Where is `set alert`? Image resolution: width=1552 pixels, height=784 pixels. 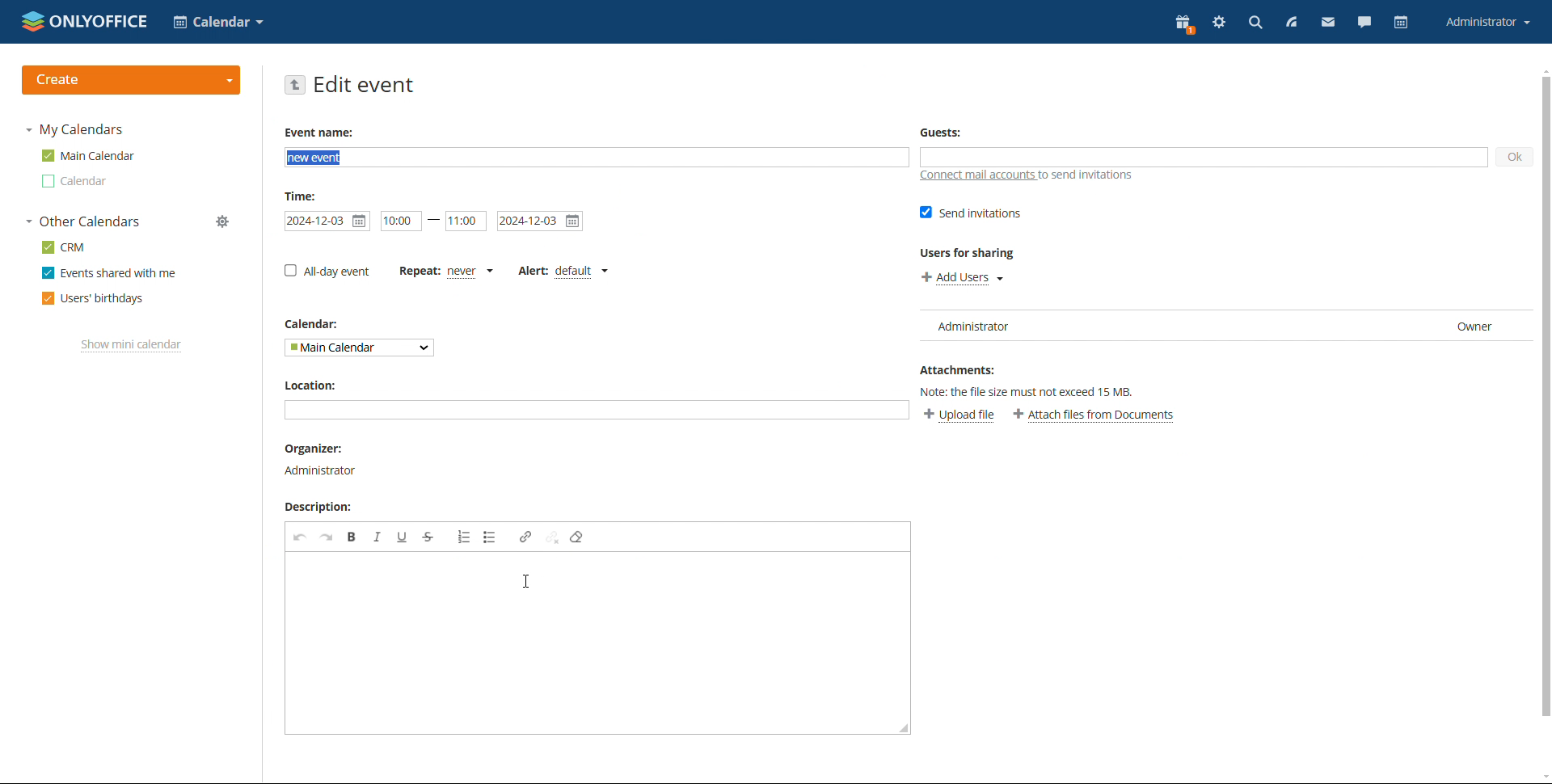 set alert is located at coordinates (562, 272).